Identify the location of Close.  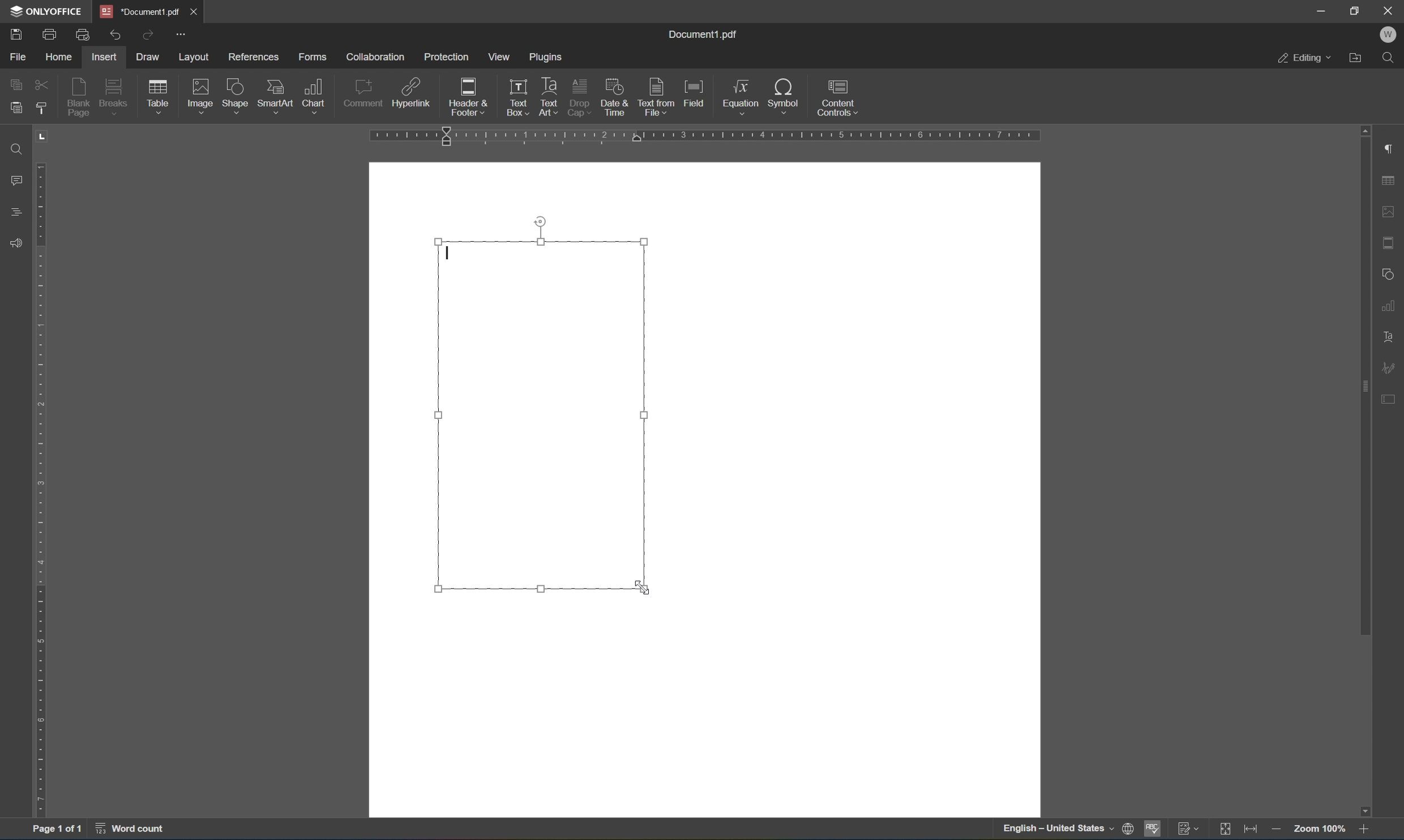
(195, 11).